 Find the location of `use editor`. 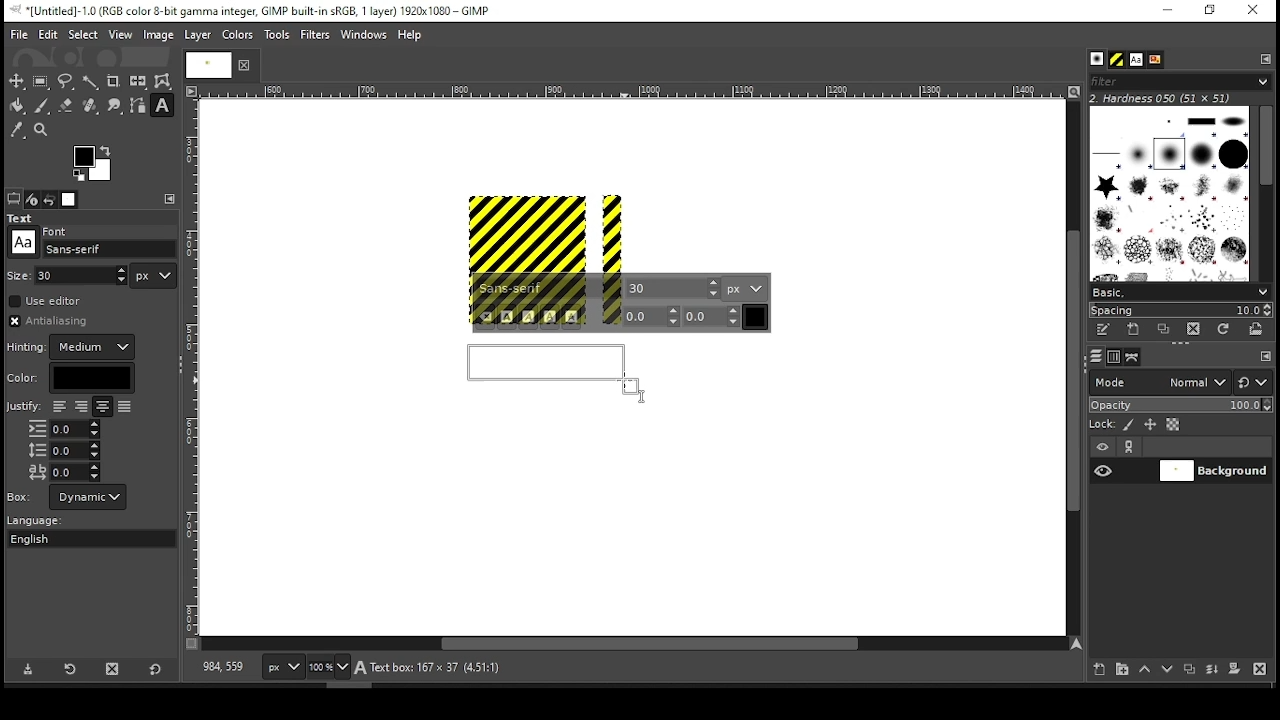

use editor is located at coordinates (47, 301).